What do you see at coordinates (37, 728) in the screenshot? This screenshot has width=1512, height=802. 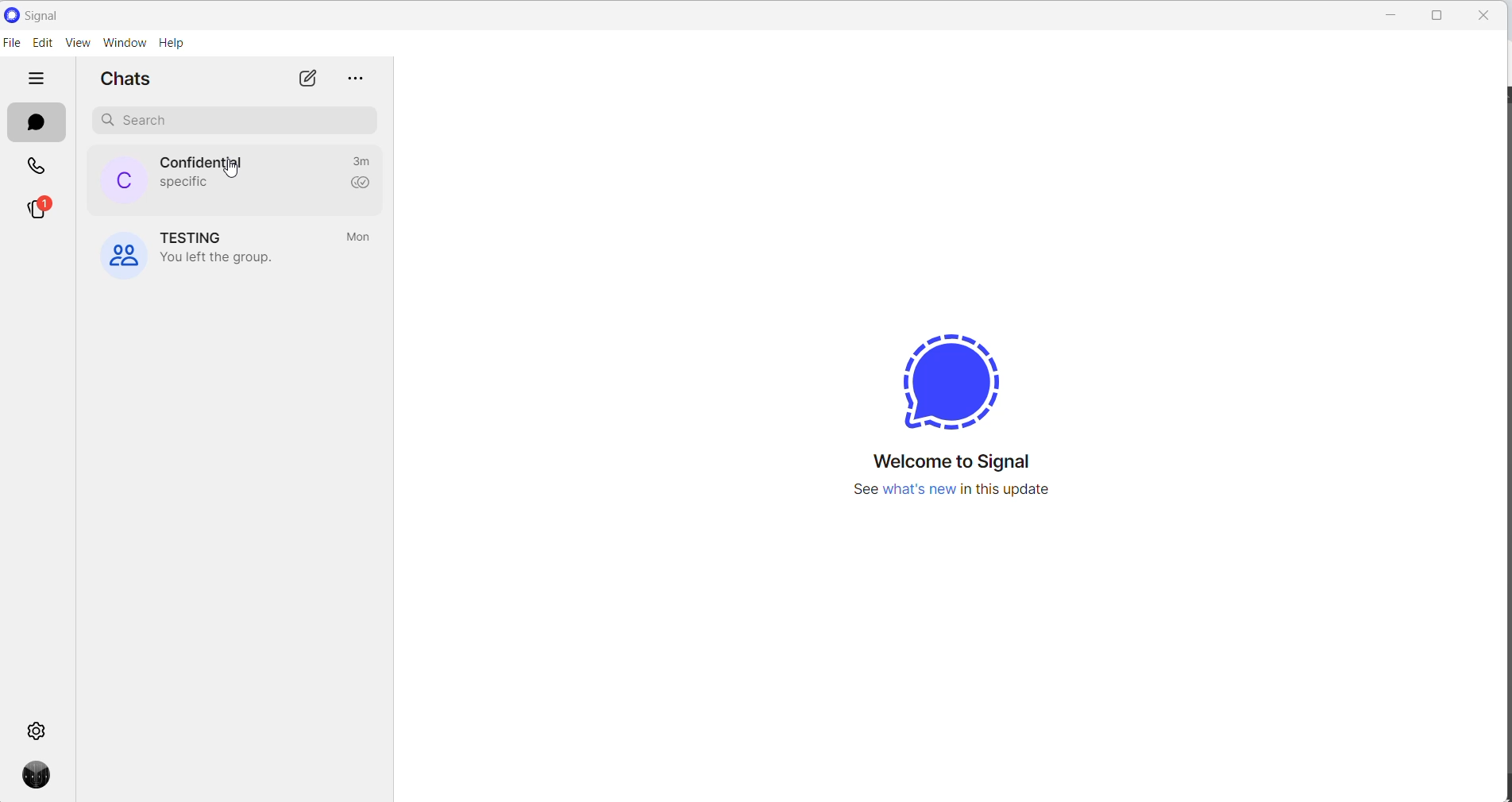 I see `settings` at bounding box center [37, 728].